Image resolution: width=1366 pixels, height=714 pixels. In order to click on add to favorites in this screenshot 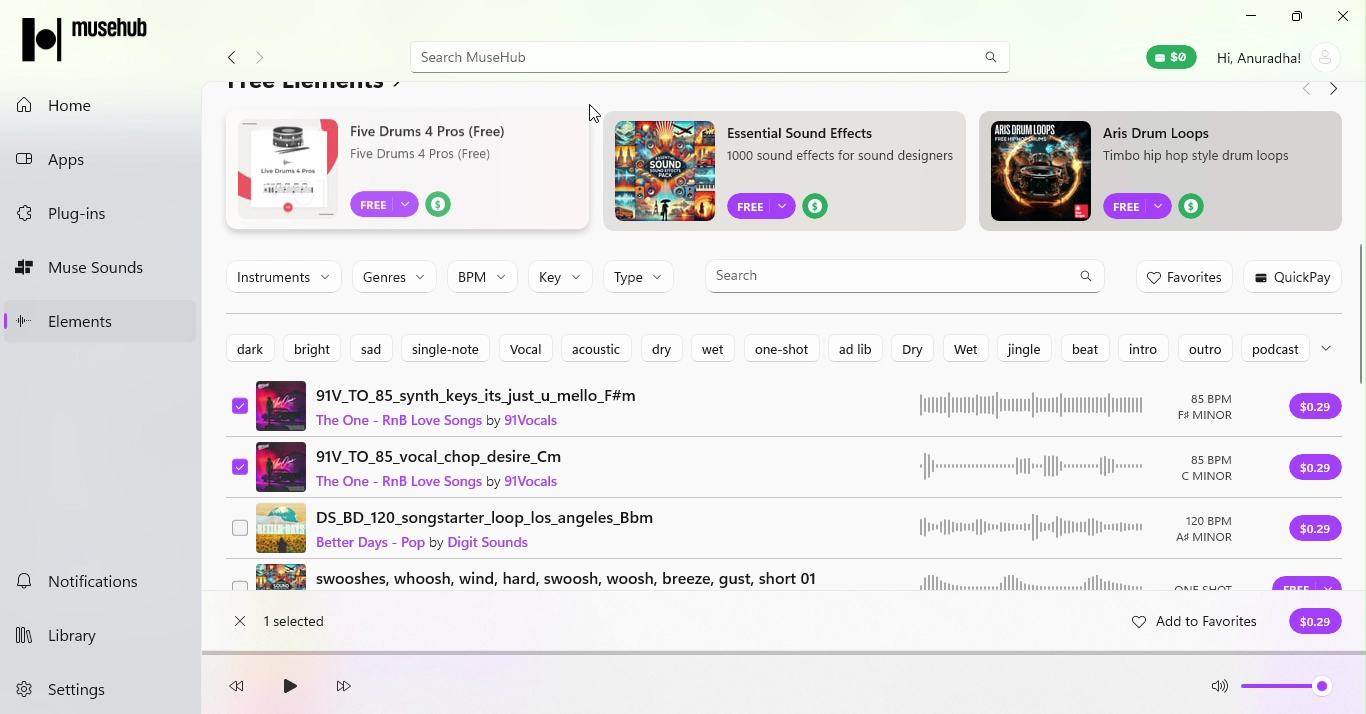, I will do `click(1186, 625)`.